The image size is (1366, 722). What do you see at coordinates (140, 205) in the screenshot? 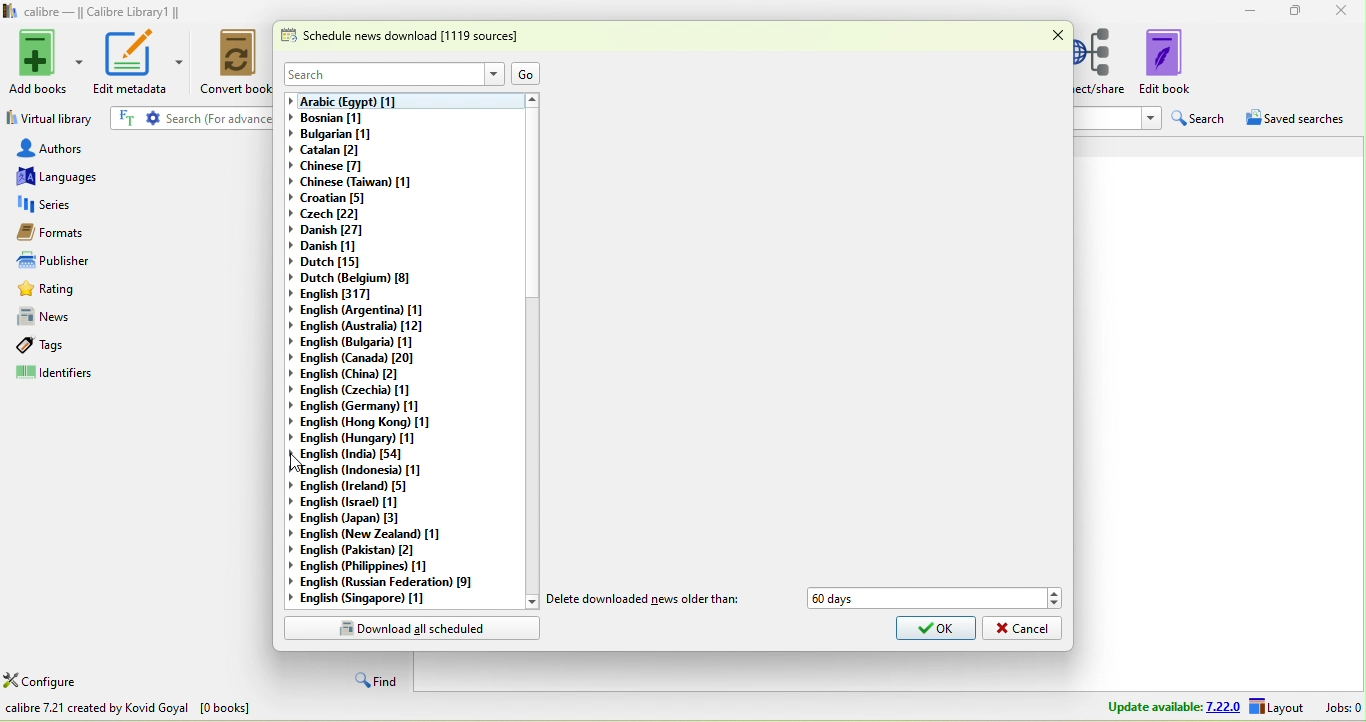
I see `series` at bounding box center [140, 205].